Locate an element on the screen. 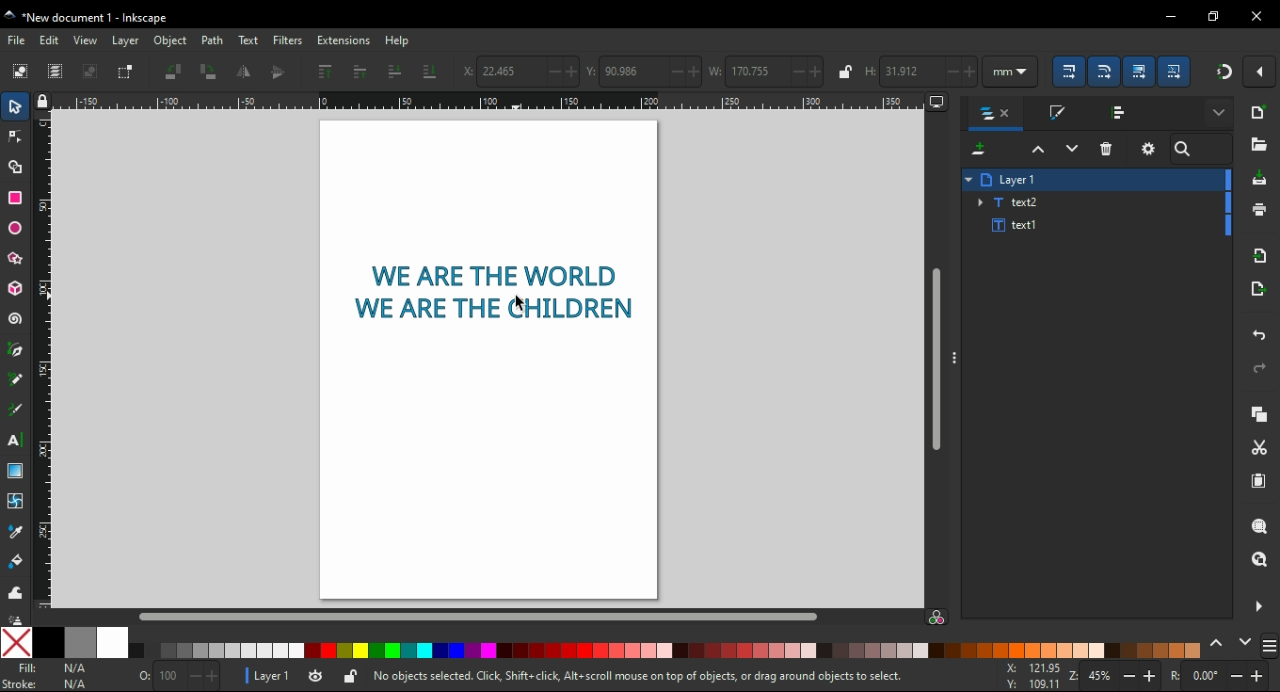 The width and height of the screenshot is (1280, 692). delete layer is located at coordinates (1106, 149).